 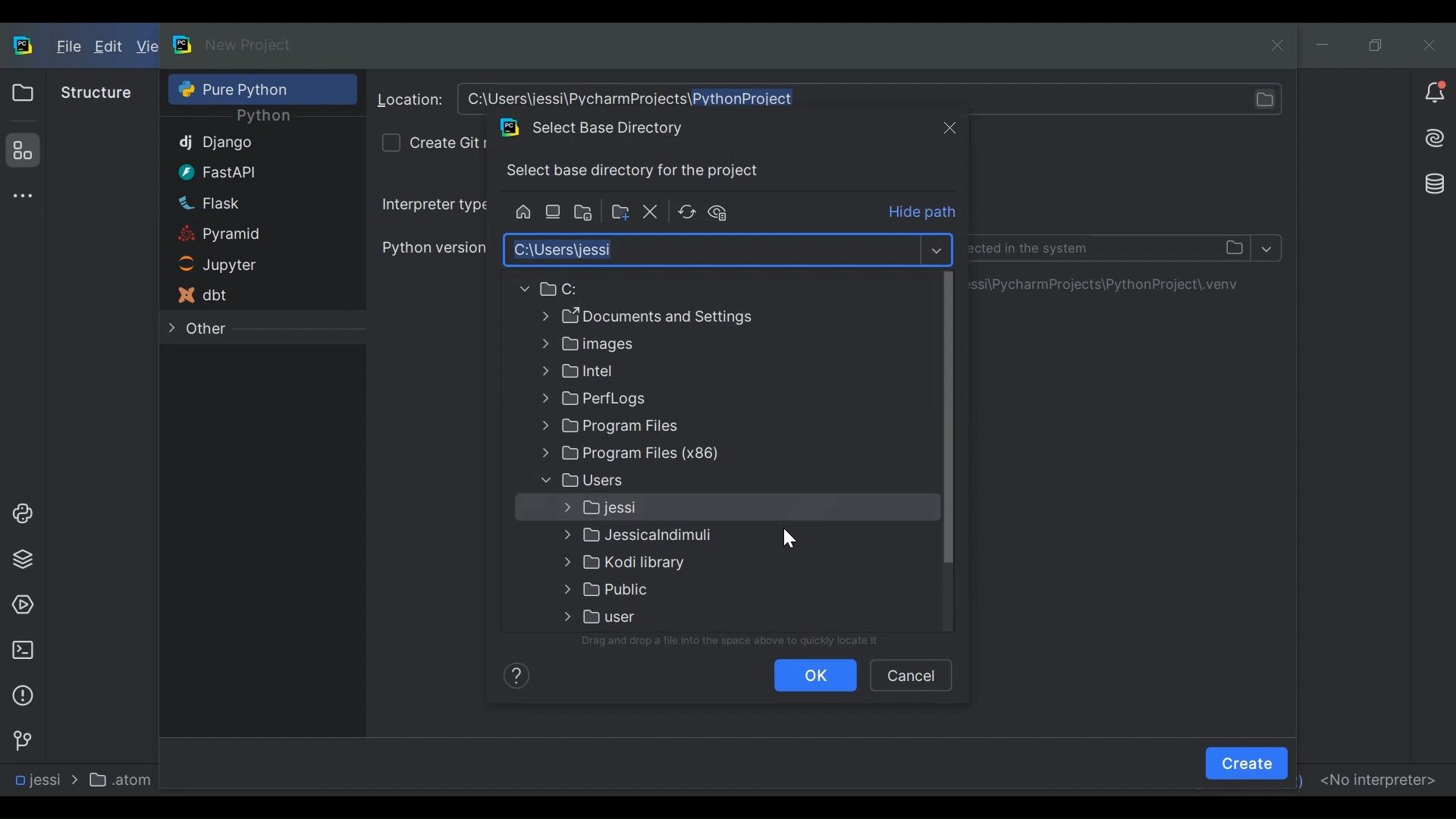 I want to click on Folder Path, so click(x=665, y=316).